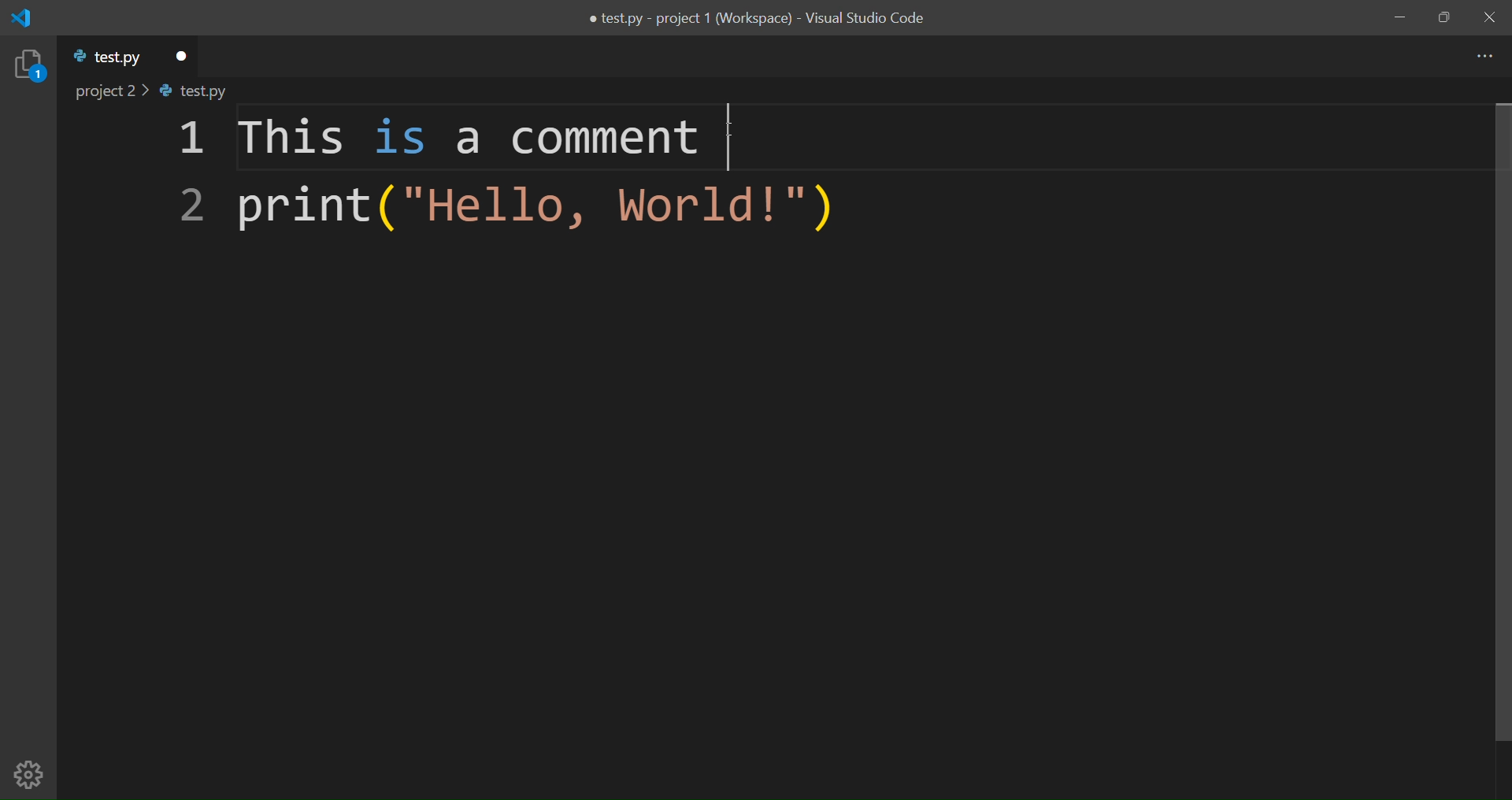  Describe the element at coordinates (30, 774) in the screenshot. I see `manage` at that location.